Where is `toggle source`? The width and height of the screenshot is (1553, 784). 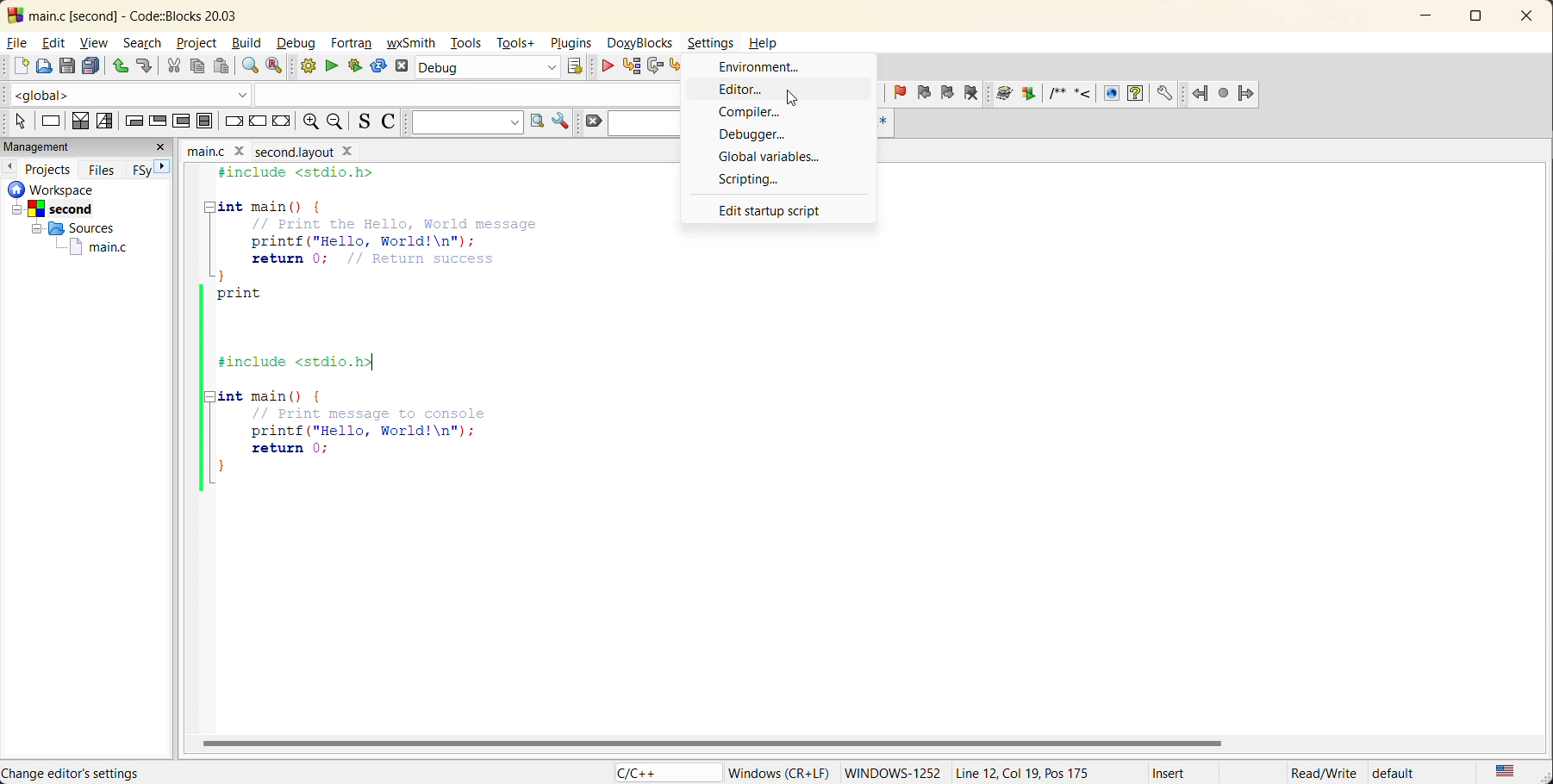 toggle source is located at coordinates (363, 122).